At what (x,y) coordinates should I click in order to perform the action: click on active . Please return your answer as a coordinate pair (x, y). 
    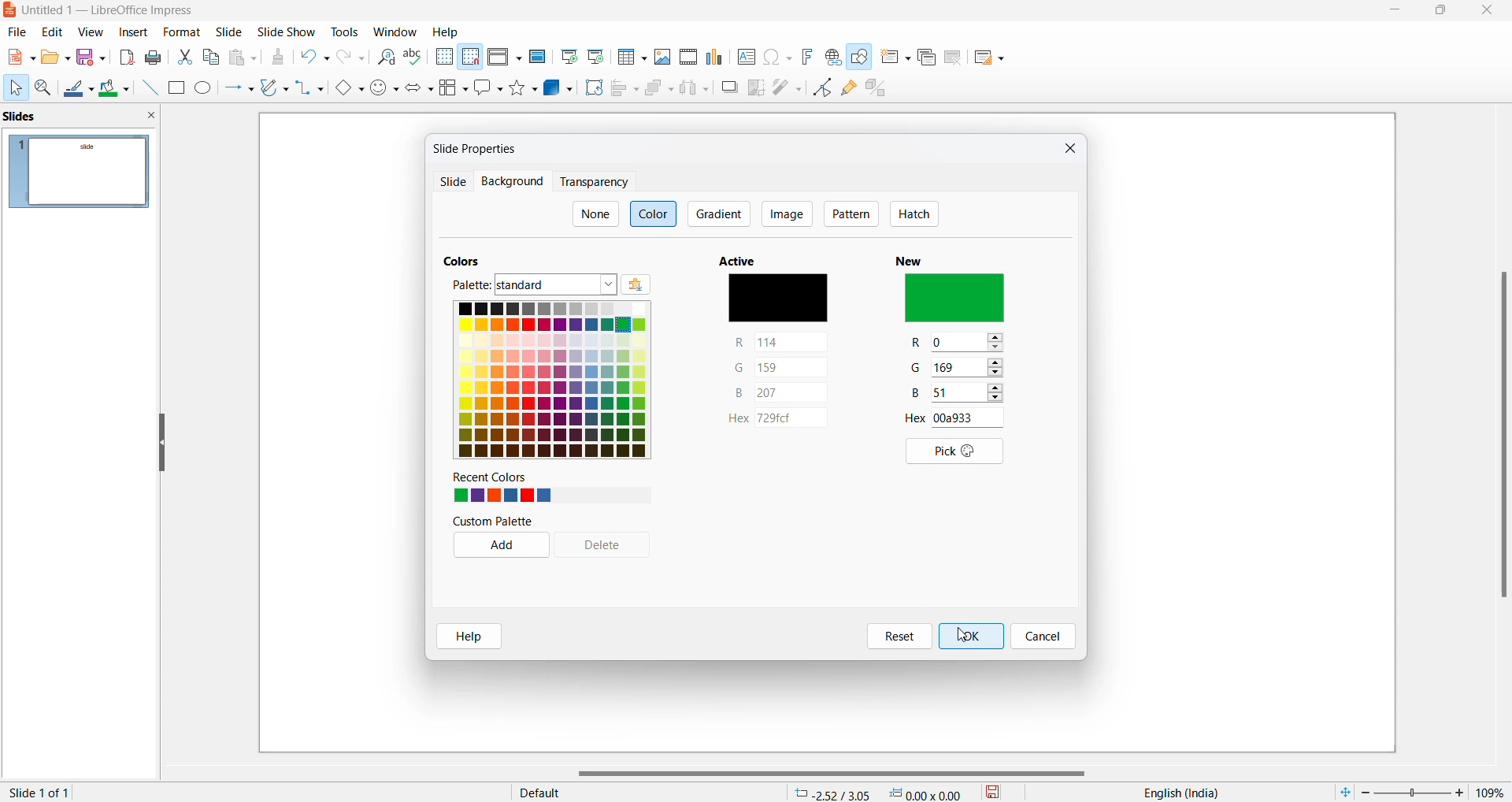
    Looking at the image, I should click on (743, 260).